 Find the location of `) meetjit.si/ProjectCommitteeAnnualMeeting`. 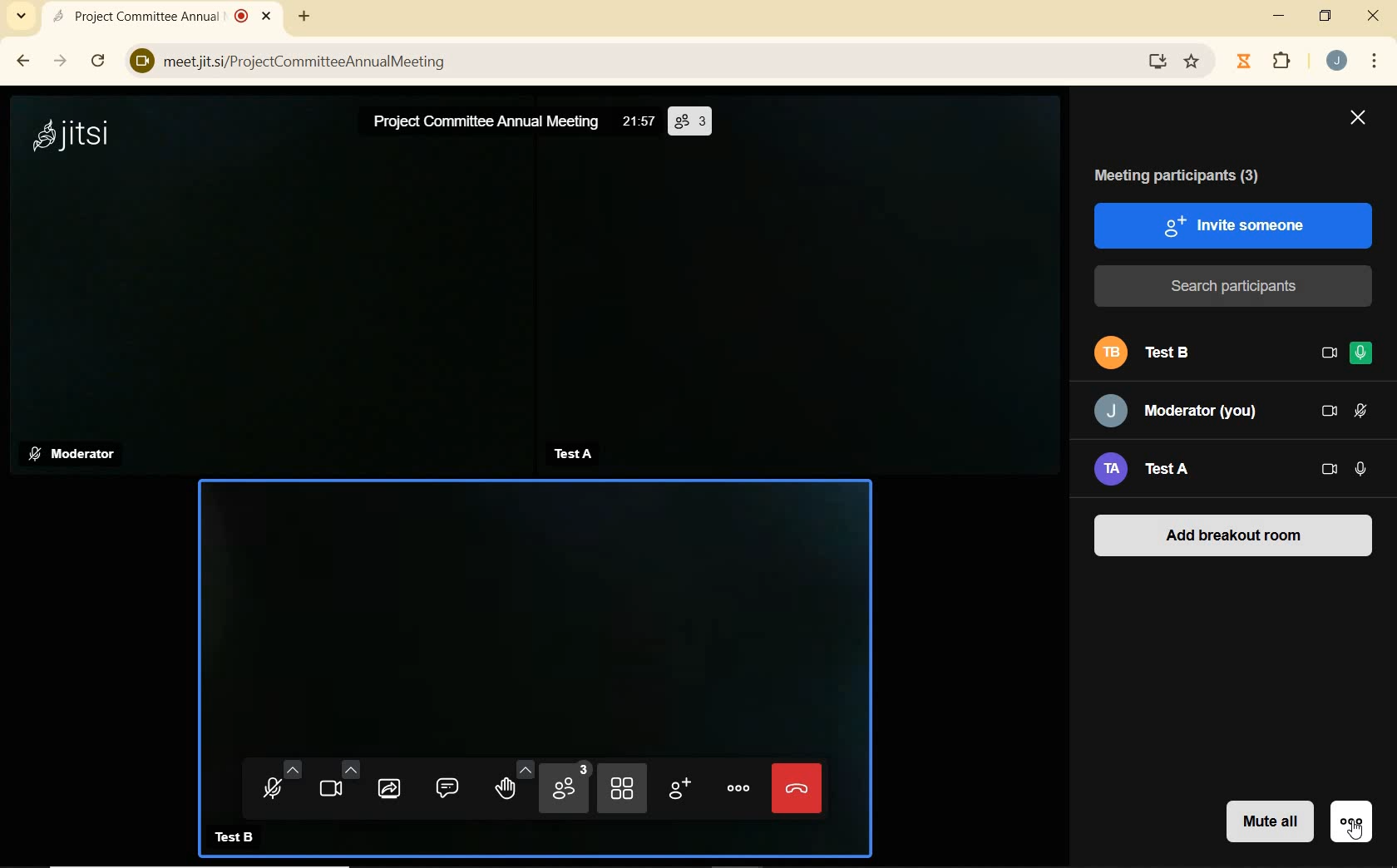

) meetjit.si/ProjectCommitteeAnnualMeeting is located at coordinates (636, 62).